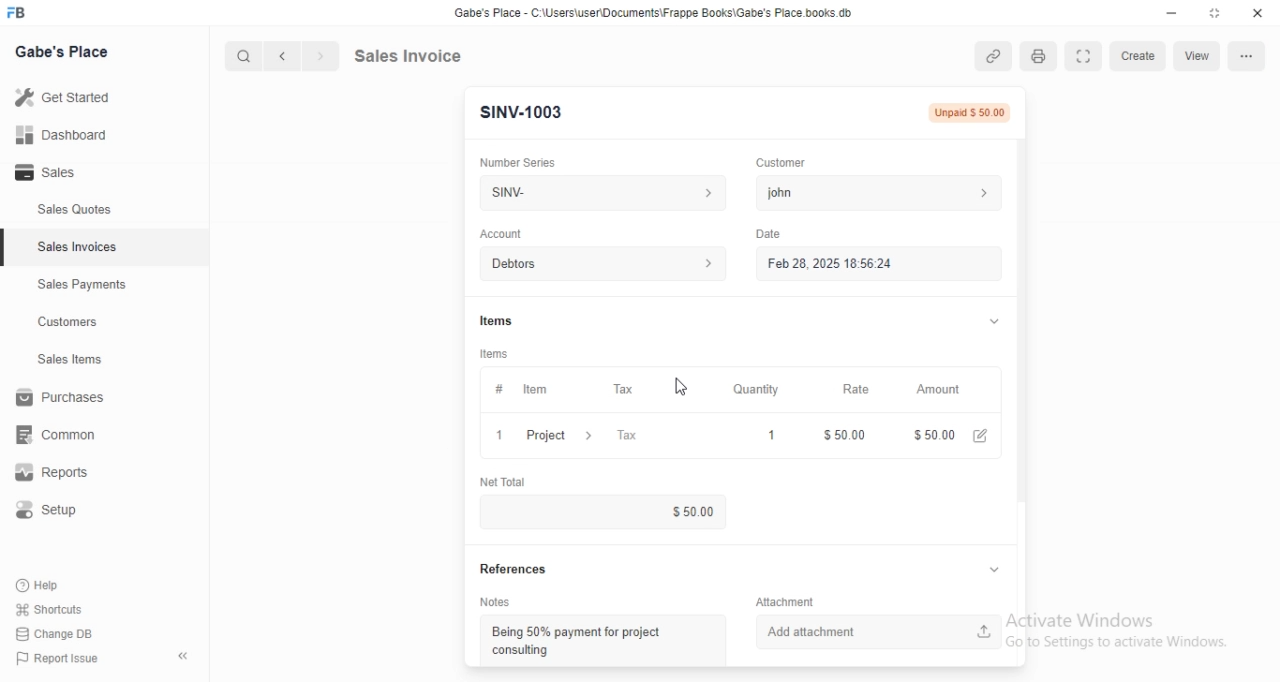  I want to click on Reports, so click(65, 475).